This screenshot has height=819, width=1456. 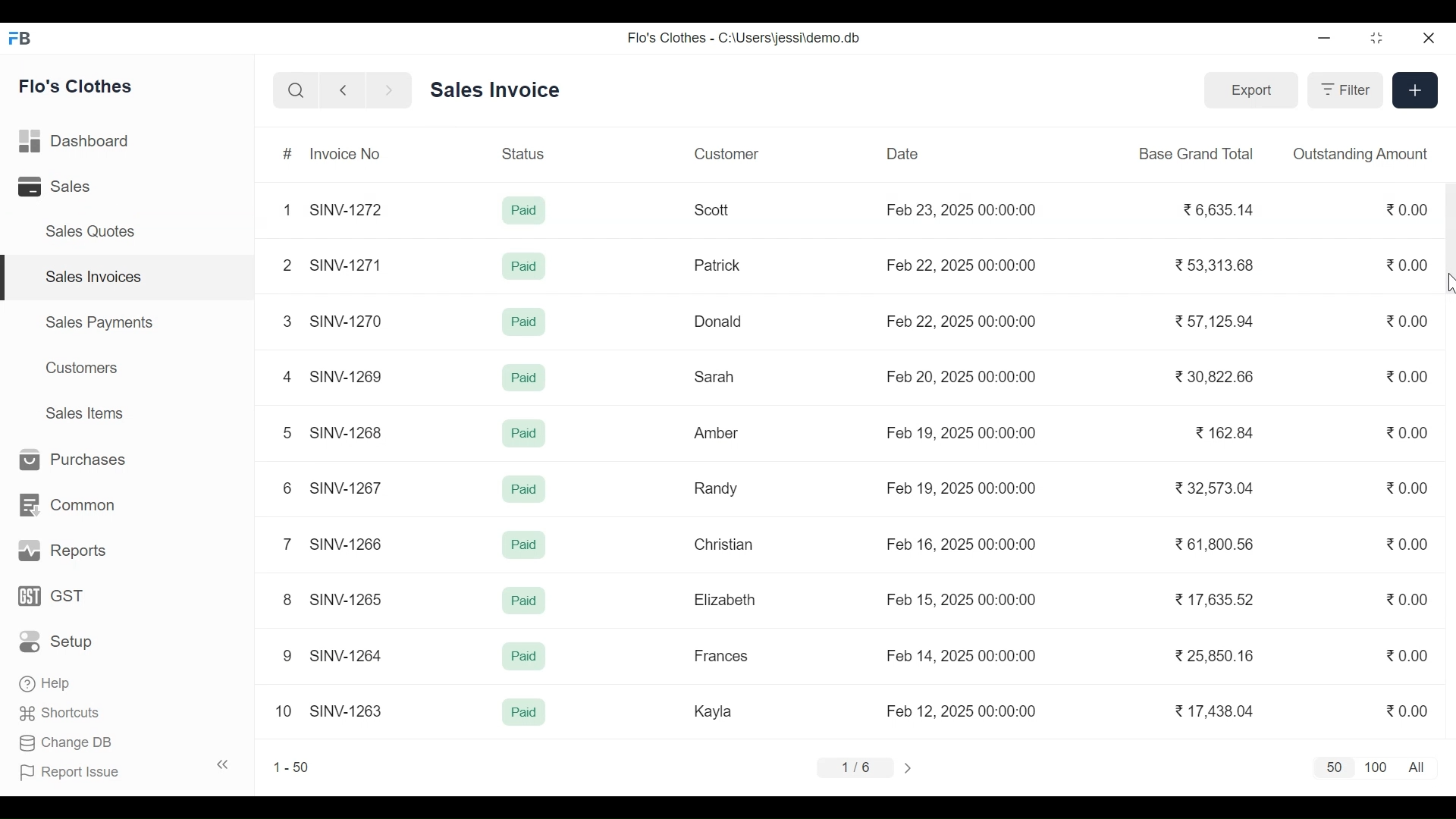 I want to click on 4, so click(x=287, y=376).